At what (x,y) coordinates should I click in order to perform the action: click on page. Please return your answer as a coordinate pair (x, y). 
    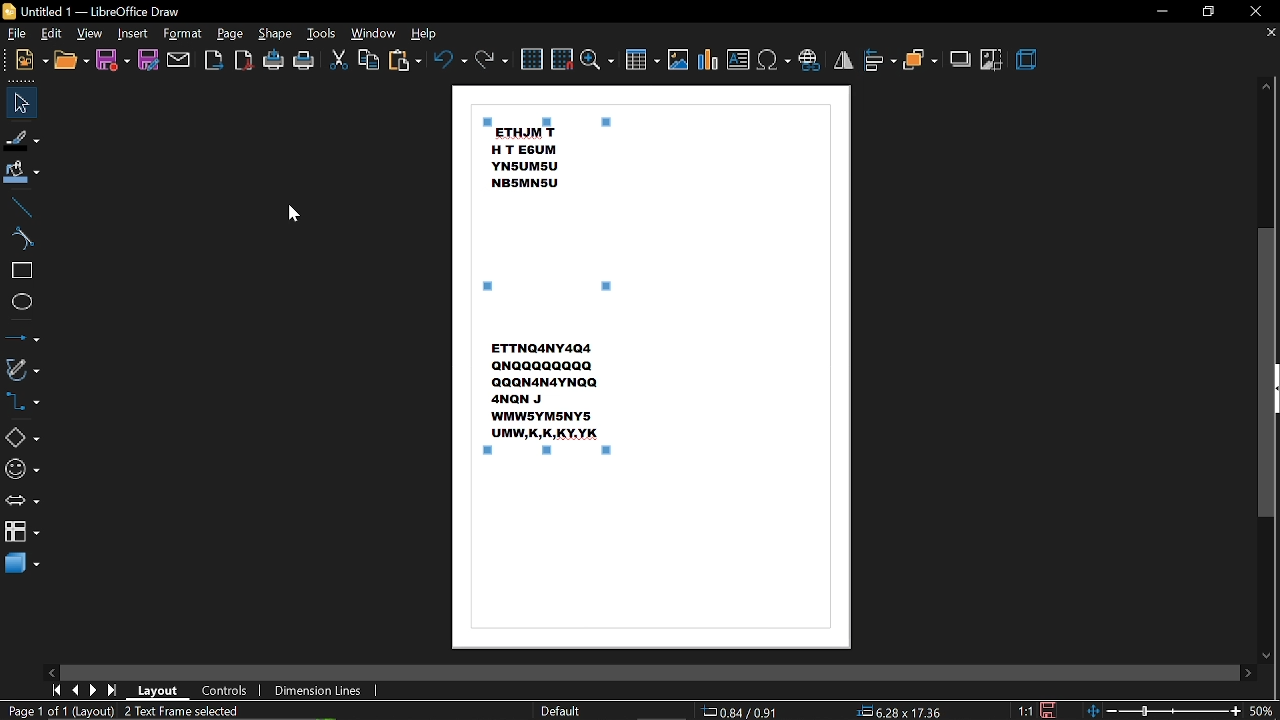
    Looking at the image, I should click on (230, 33).